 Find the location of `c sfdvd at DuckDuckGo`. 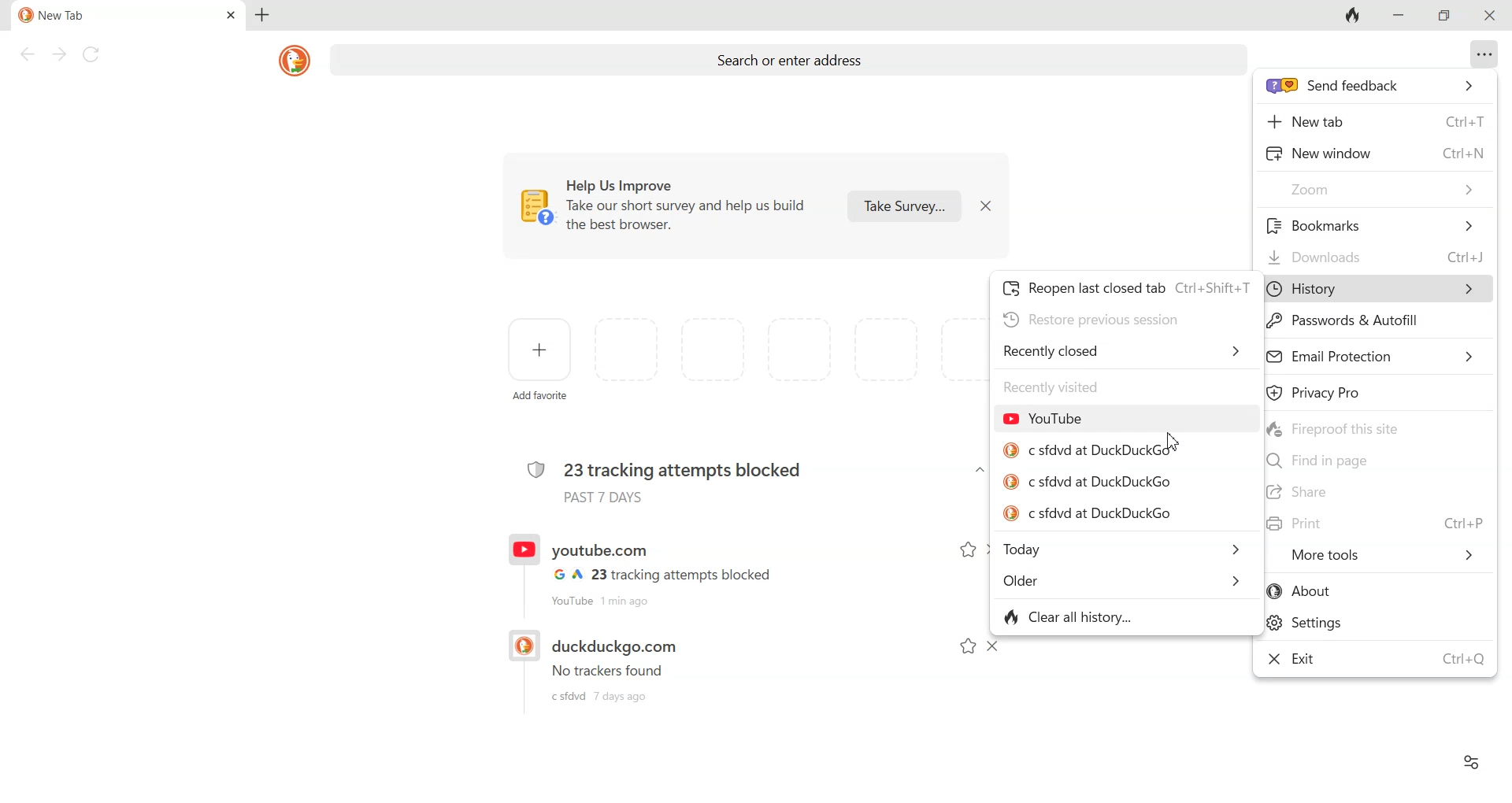

c sfdvd at DuckDuckGo is located at coordinates (1093, 450).